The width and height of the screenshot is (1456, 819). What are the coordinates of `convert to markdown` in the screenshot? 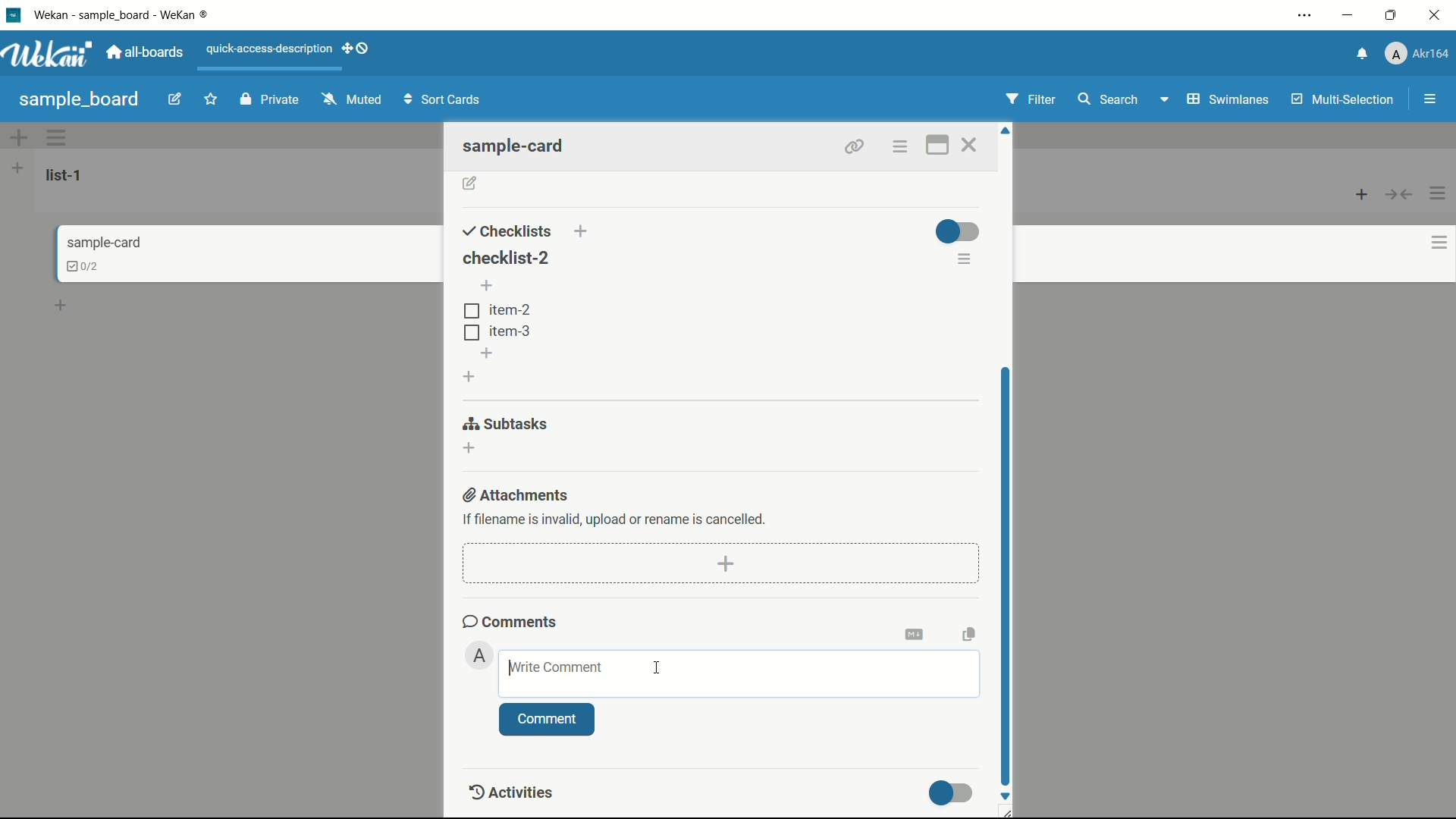 It's located at (917, 632).